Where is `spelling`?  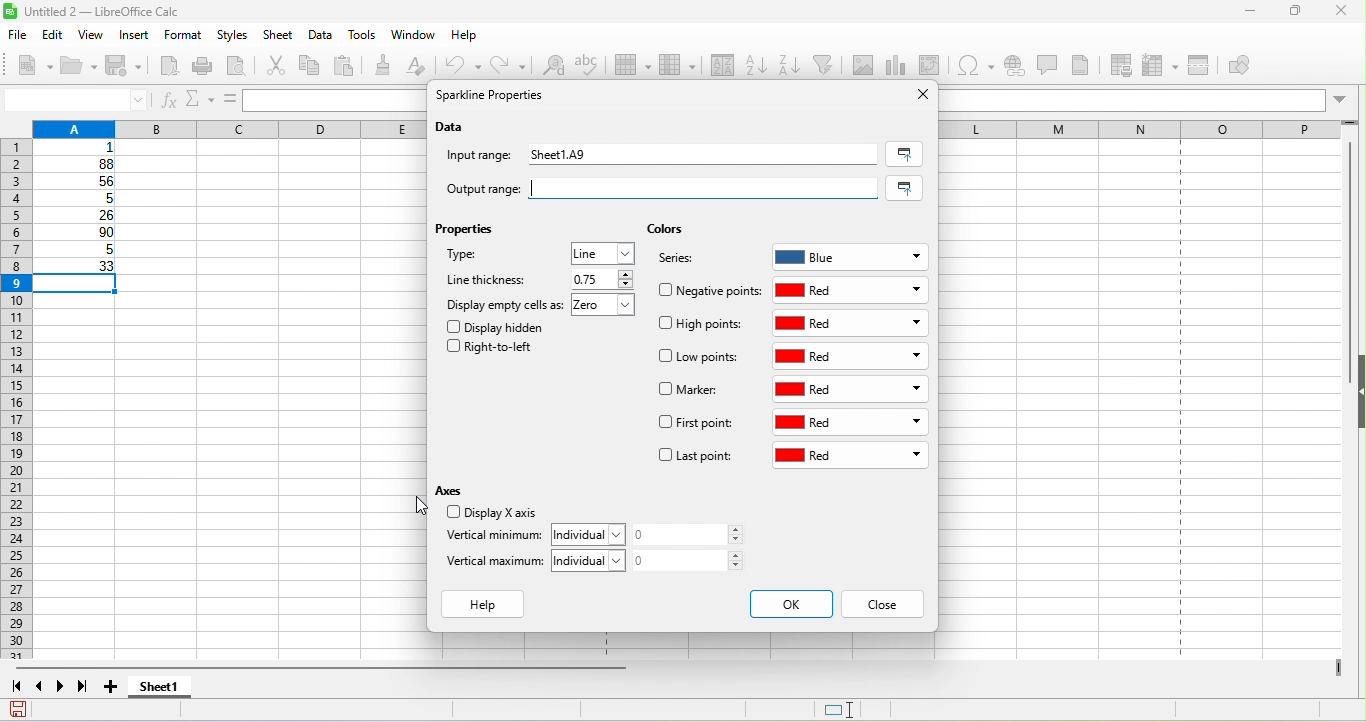 spelling is located at coordinates (594, 70).